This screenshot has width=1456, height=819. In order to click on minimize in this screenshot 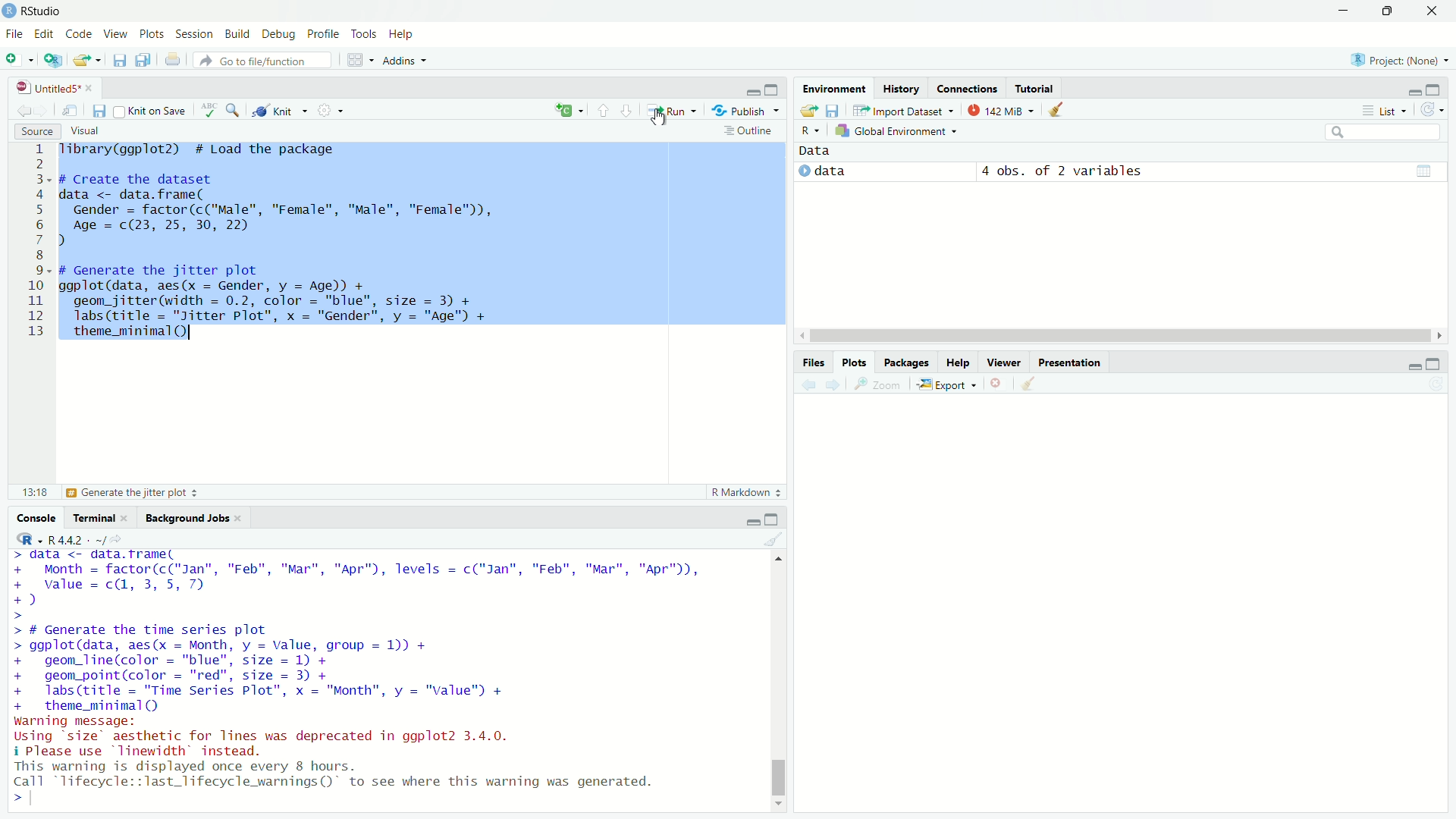, I will do `click(1341, 9)`.